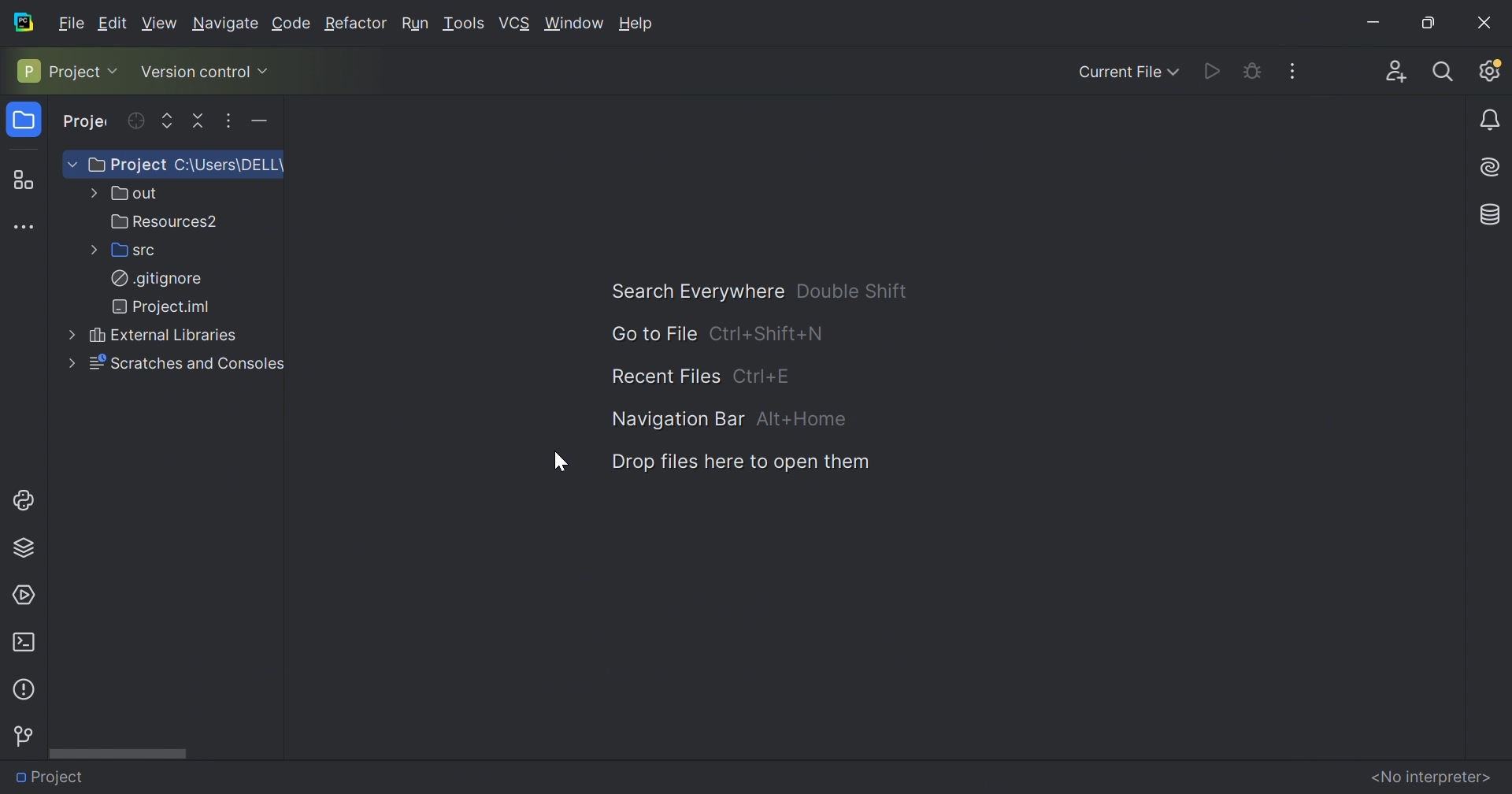 The image size is (1512, 794). What do you see at coordinates (1493, 165) in the screenshot?
I see `AI assistance` at bounding box center [1493, 165].